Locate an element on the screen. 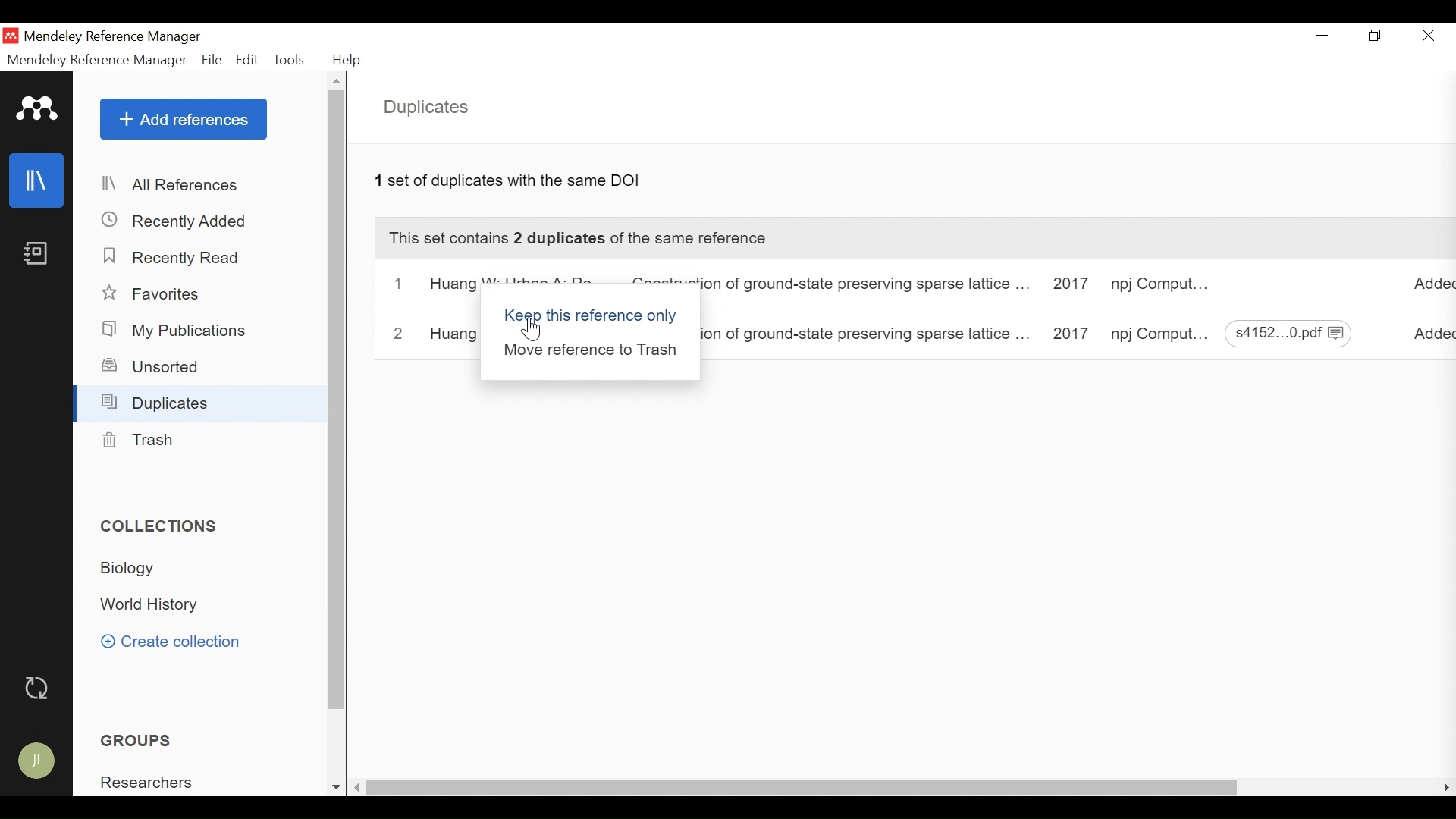 Image resolution: width=1456 pixels, height=819 pixels. Collection is located at coordinates (133, 568).